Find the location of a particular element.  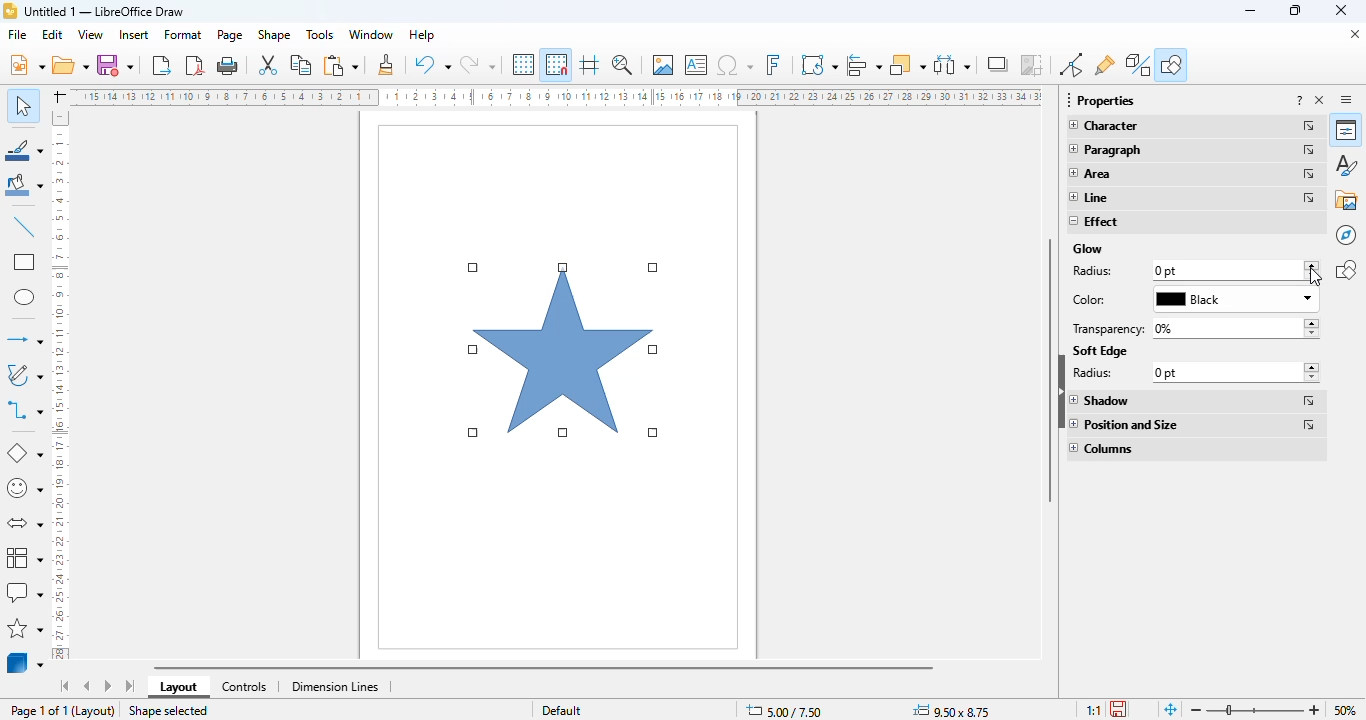

position and size is located at coordinates (1127, 424).